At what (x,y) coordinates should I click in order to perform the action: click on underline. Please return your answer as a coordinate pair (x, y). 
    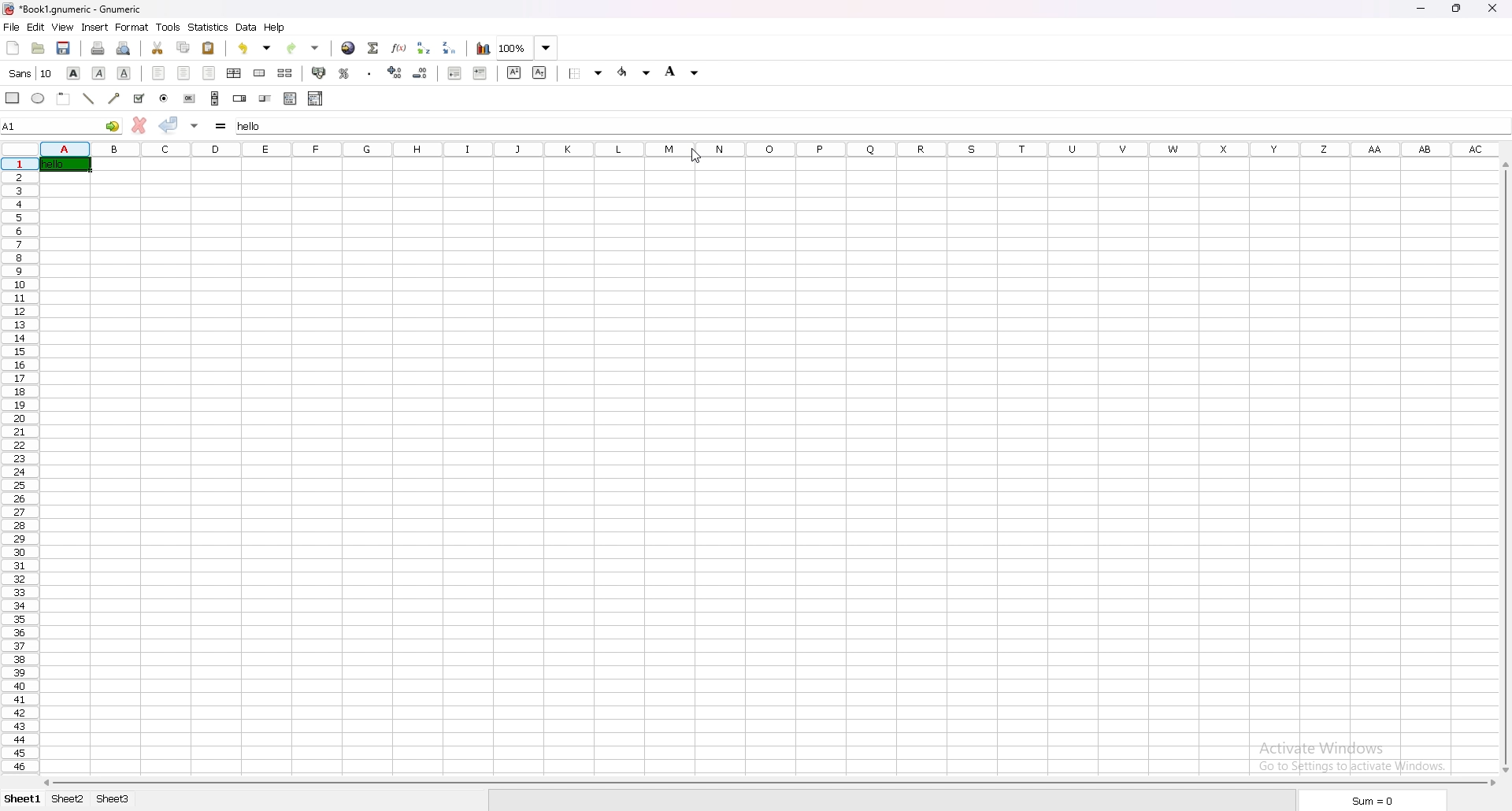
    Looking at the image, I should click on (124, 73).